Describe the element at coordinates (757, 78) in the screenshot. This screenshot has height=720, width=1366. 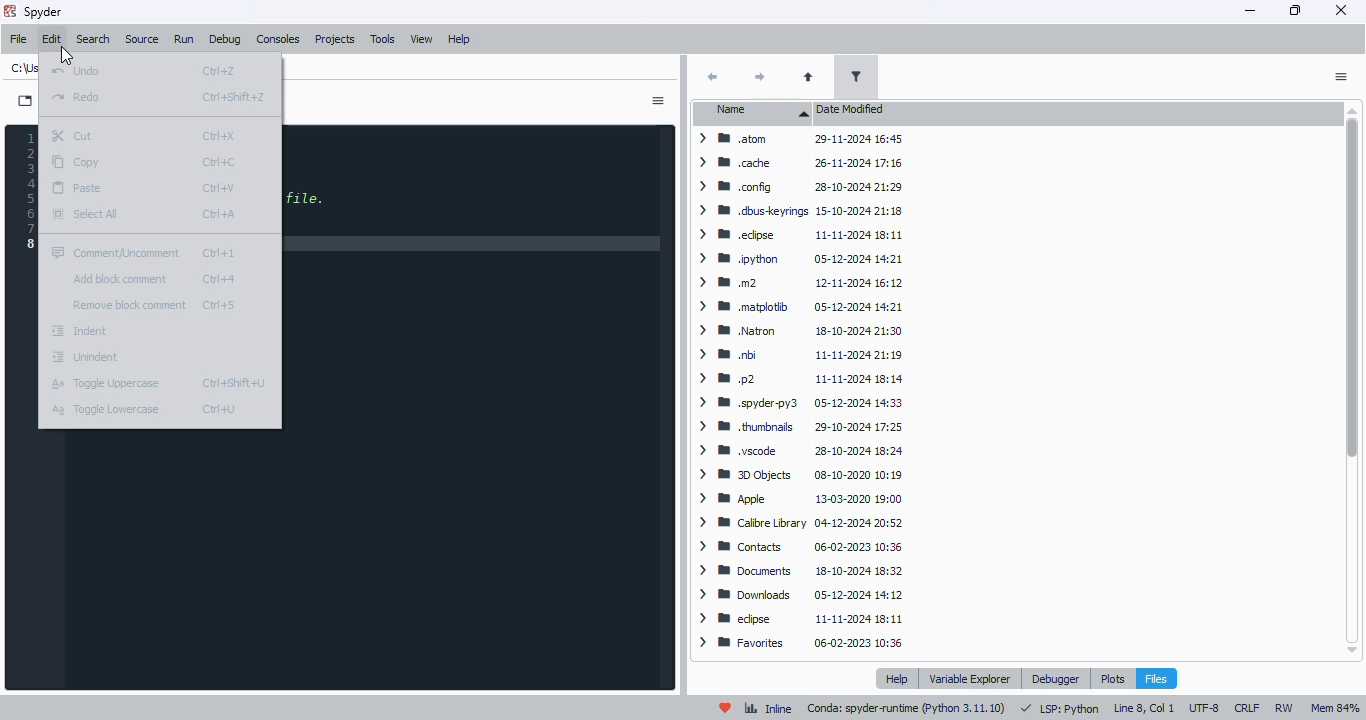
I see `next` at that location.